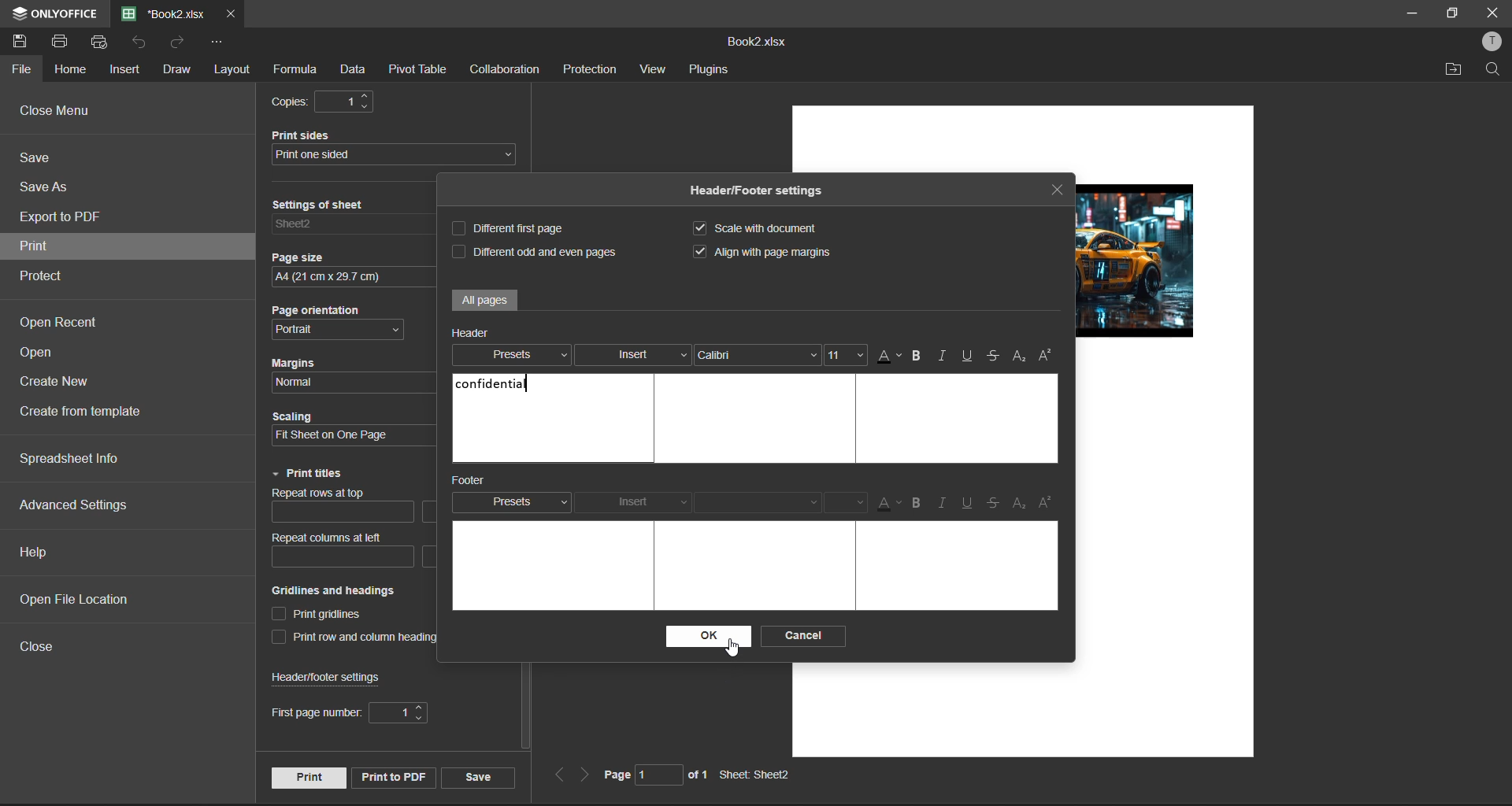 This screenshot has width=1512, height=806. I want to click on scale with document, so click(762, 228).